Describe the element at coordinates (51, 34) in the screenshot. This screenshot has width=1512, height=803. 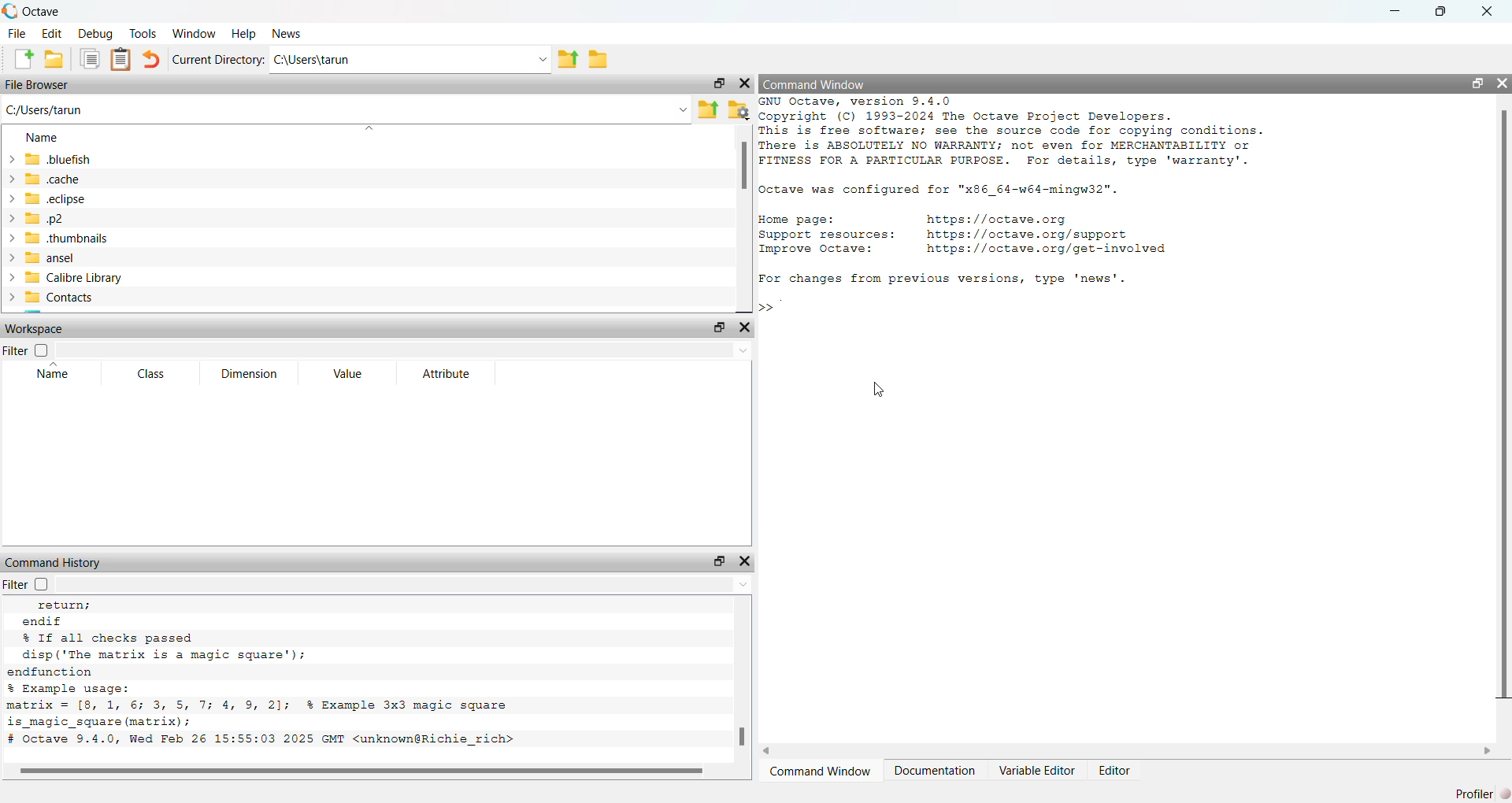
I see `Edit` at that location.